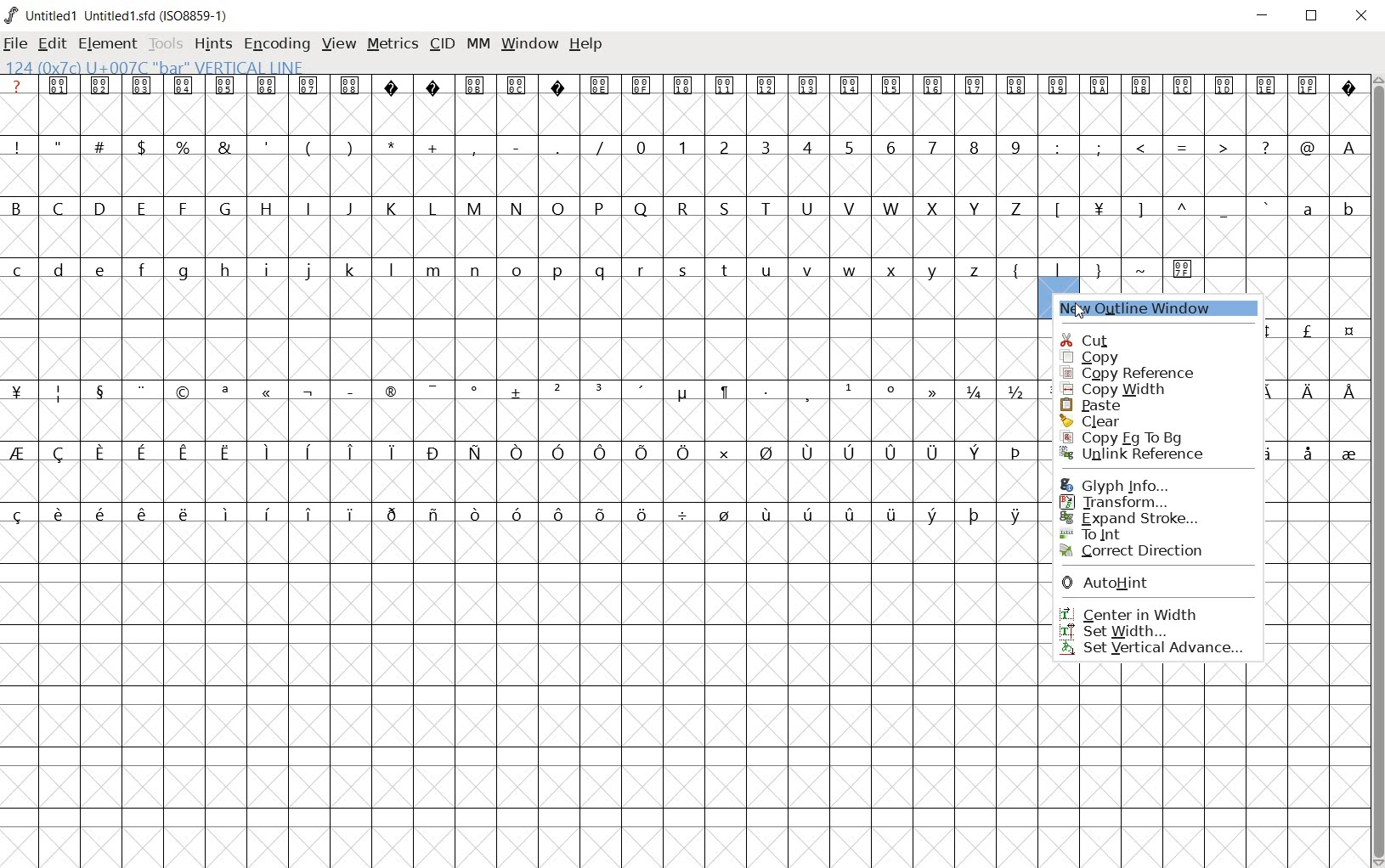  What do you see at coordinates (1204, 786) in the screenshot?
I see `empty cells` at bounding box center [1204, 786].